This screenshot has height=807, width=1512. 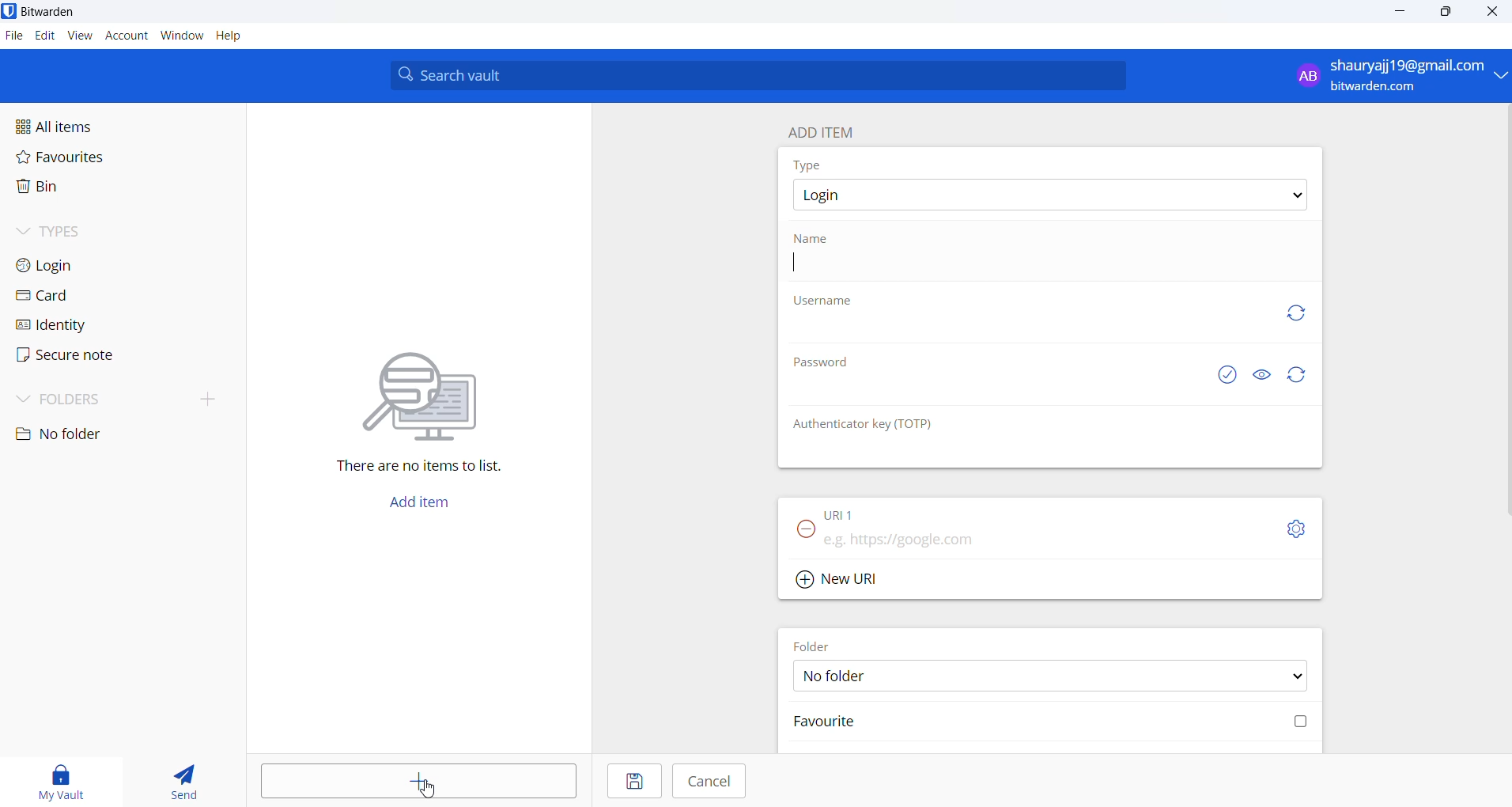 What do you see at coordinates (98, 237) in the screenshot?
I see `types` at bounding box center [98, 237].